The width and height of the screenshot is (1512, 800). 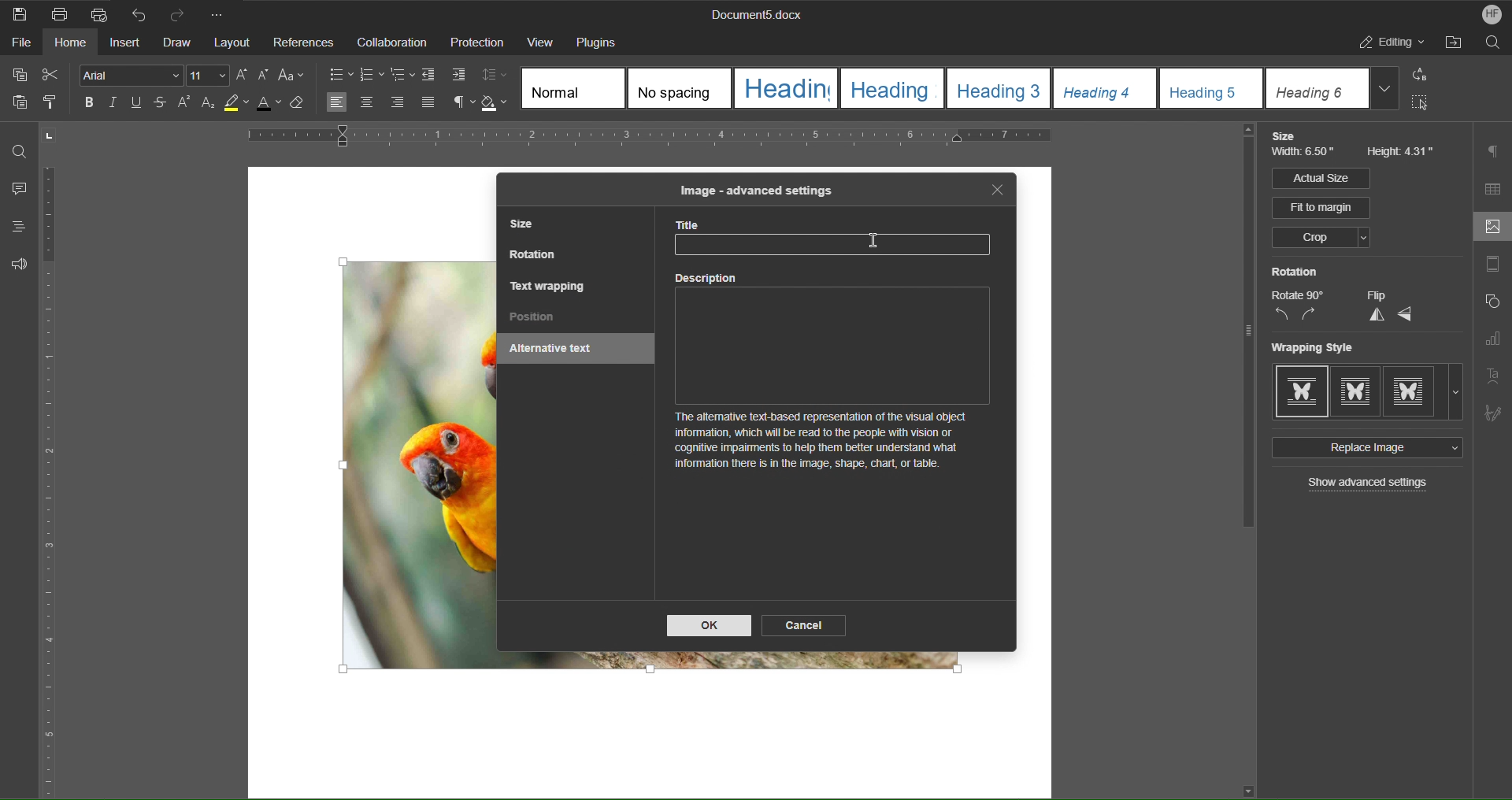 What do you see at coordinates (390, 42) in the screenshot?
I see `Collaboration` at bounding box center [390, 42].